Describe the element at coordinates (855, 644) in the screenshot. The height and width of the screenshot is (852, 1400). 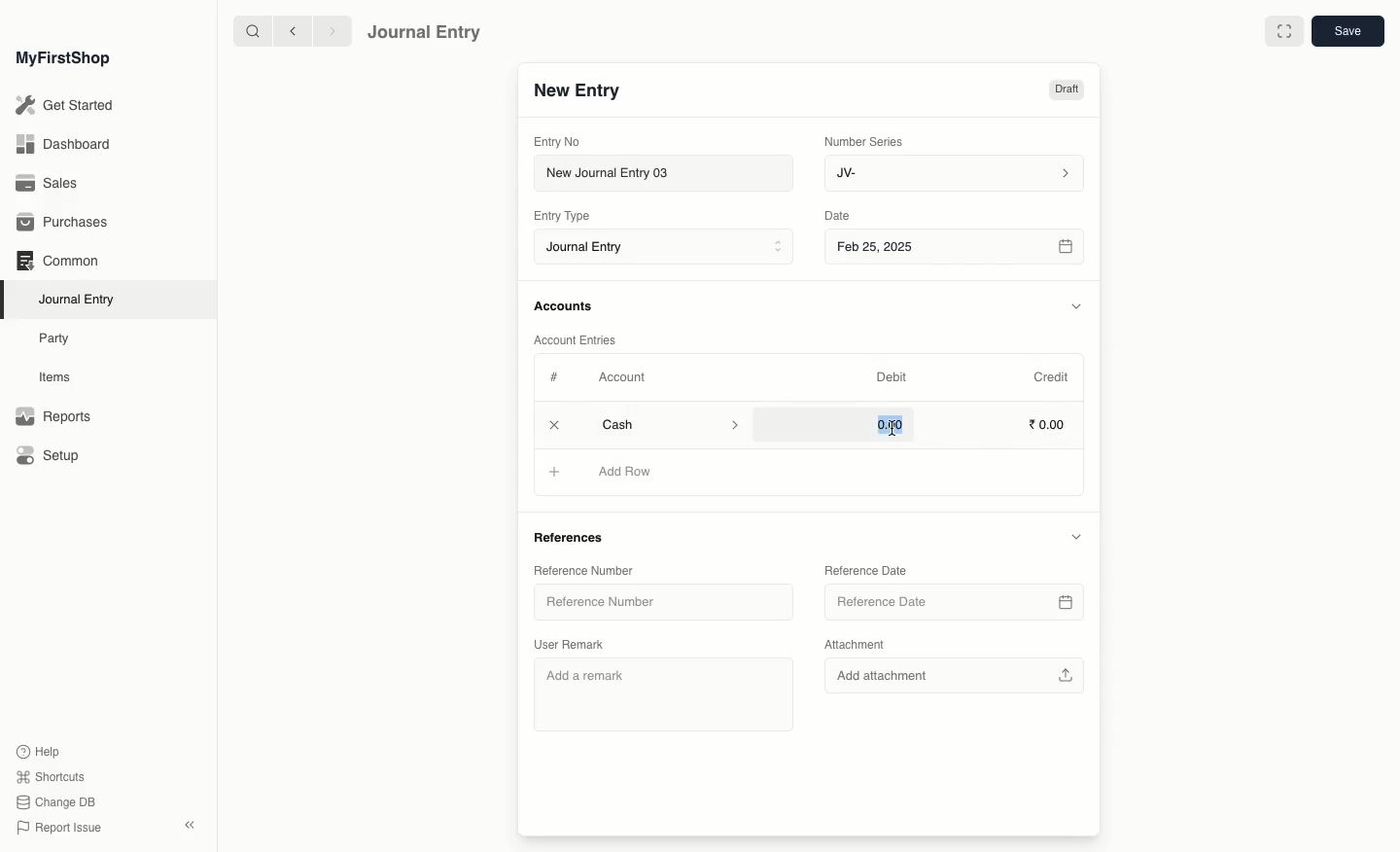
I see `Attachment` at that location.